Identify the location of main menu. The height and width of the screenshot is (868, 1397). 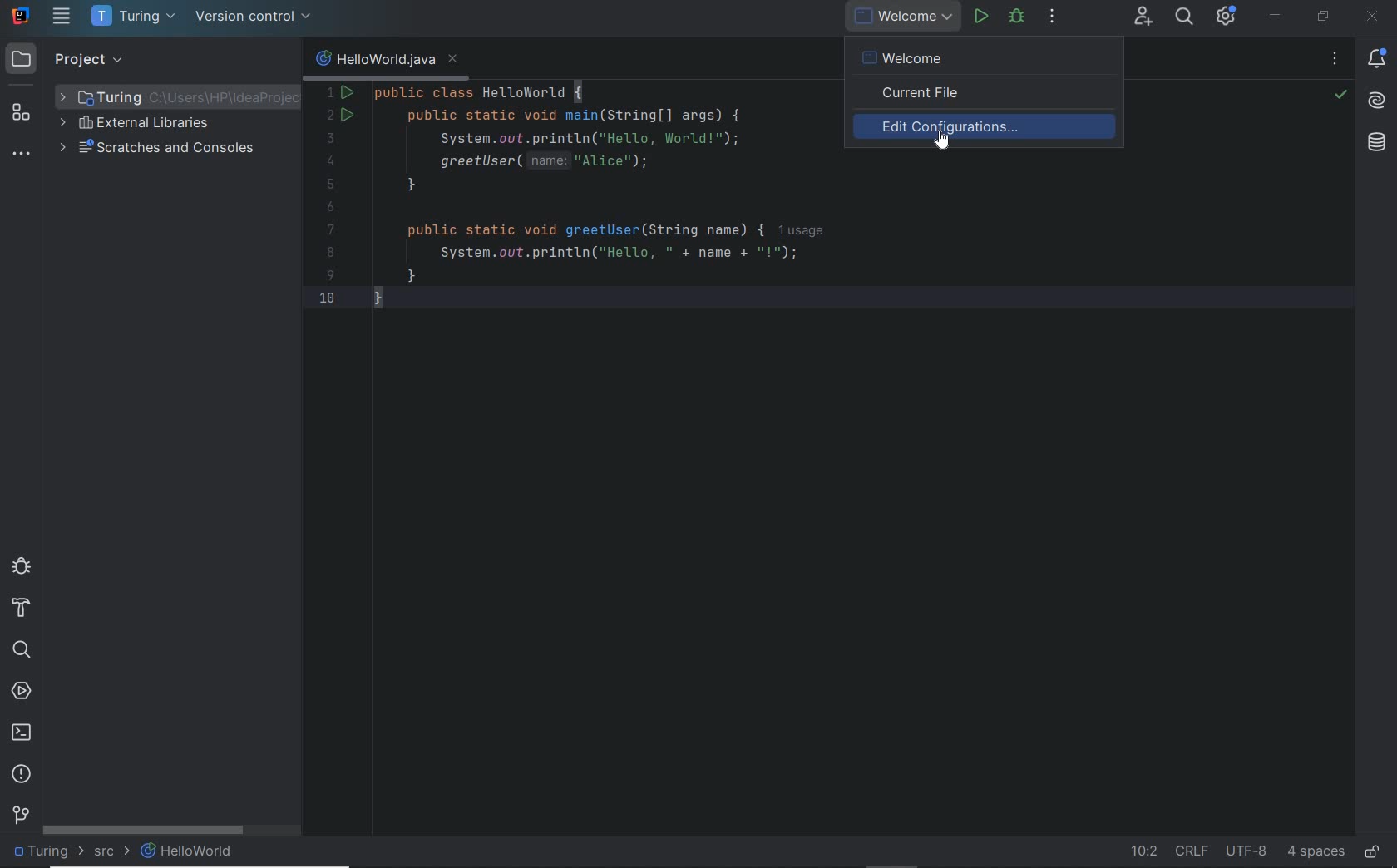
(62, 16).